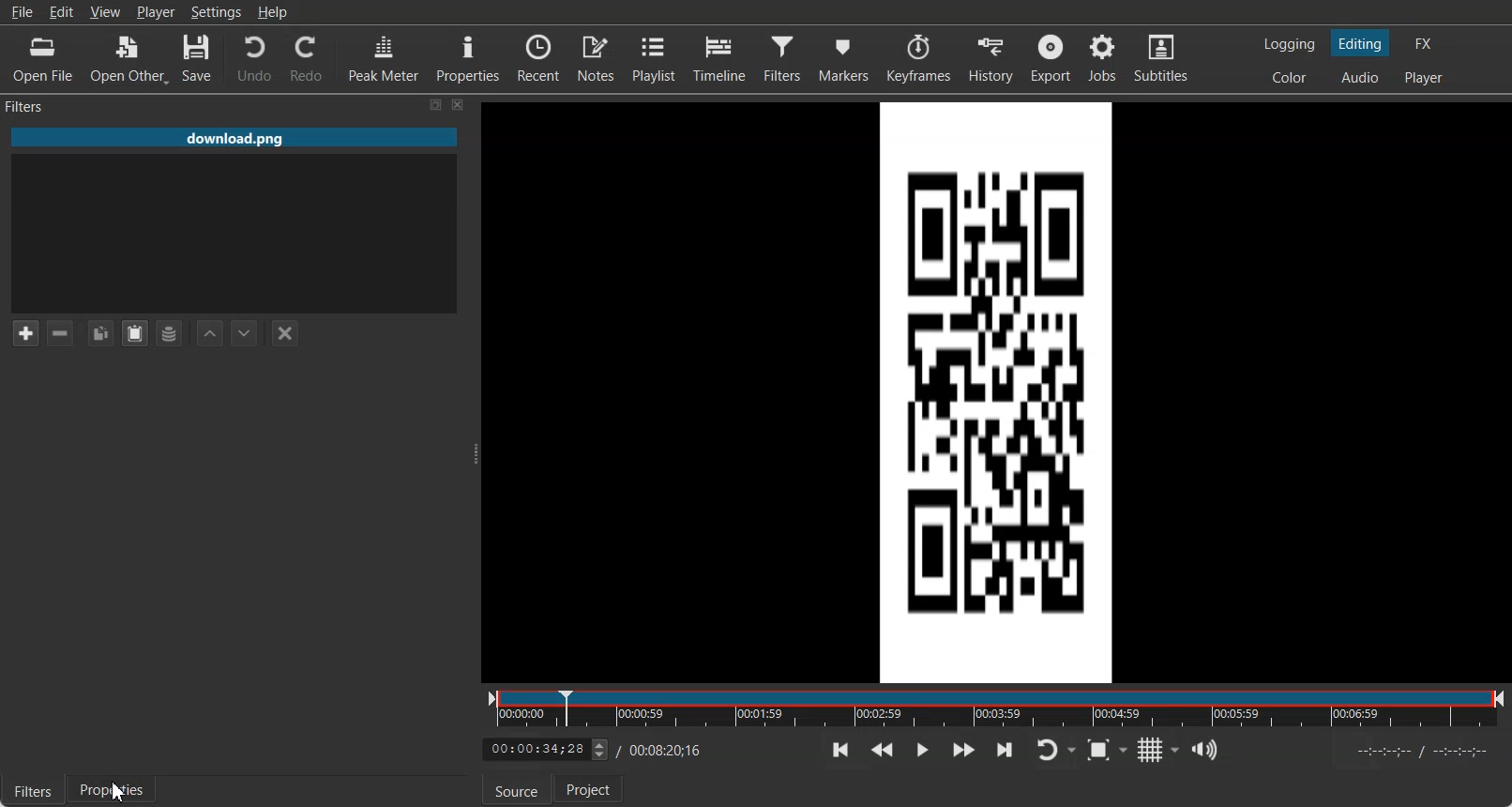  I want to click on Source, so click(517, 789).